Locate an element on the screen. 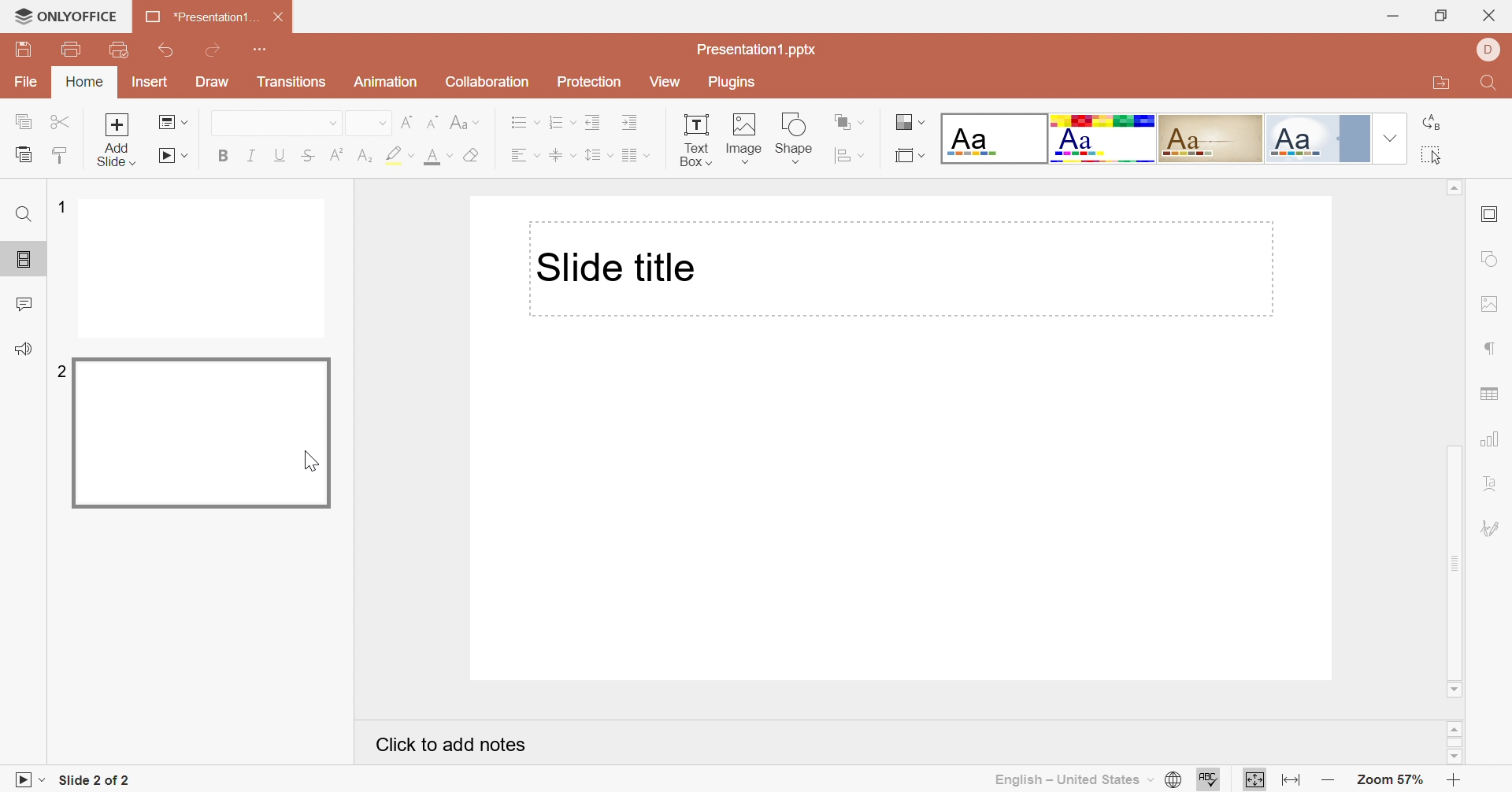 This screenshot has width=1512, height=792. Table settings is located at coordinates (1488, 396).